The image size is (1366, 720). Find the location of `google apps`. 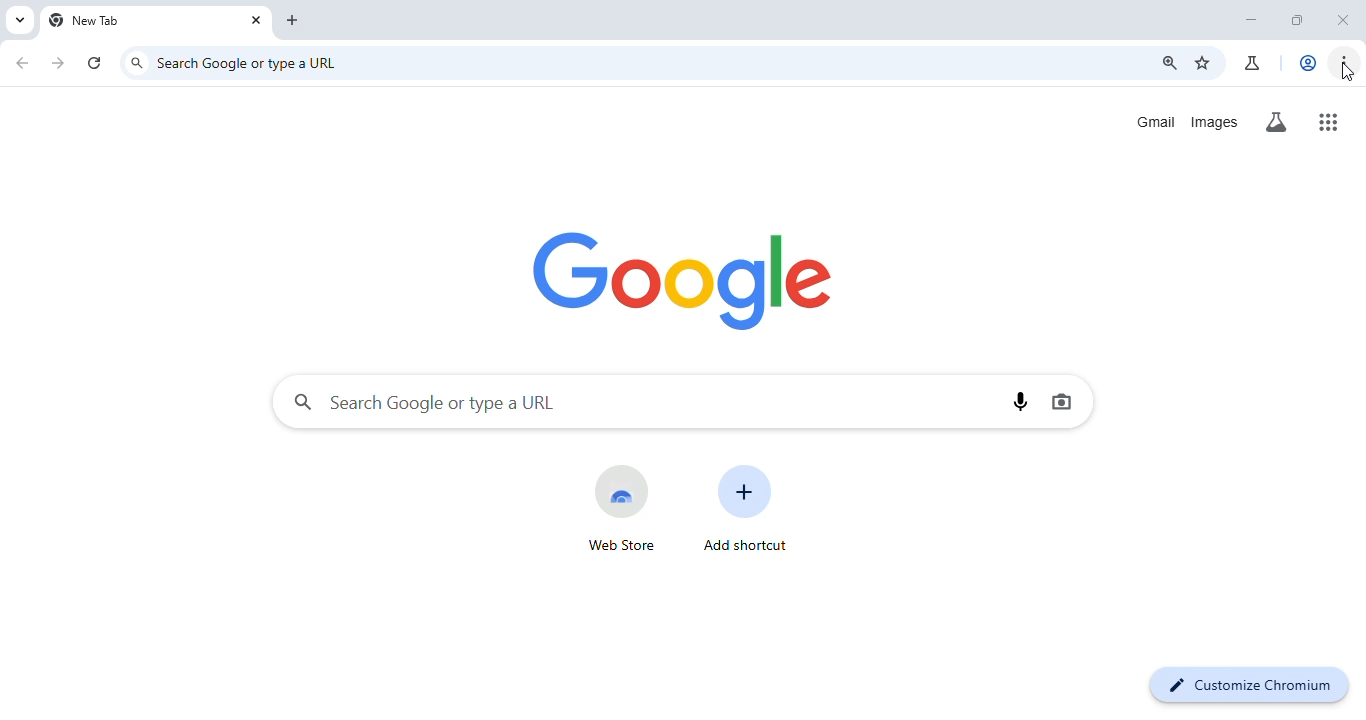

google apps is located at coordinates (1330, 120).